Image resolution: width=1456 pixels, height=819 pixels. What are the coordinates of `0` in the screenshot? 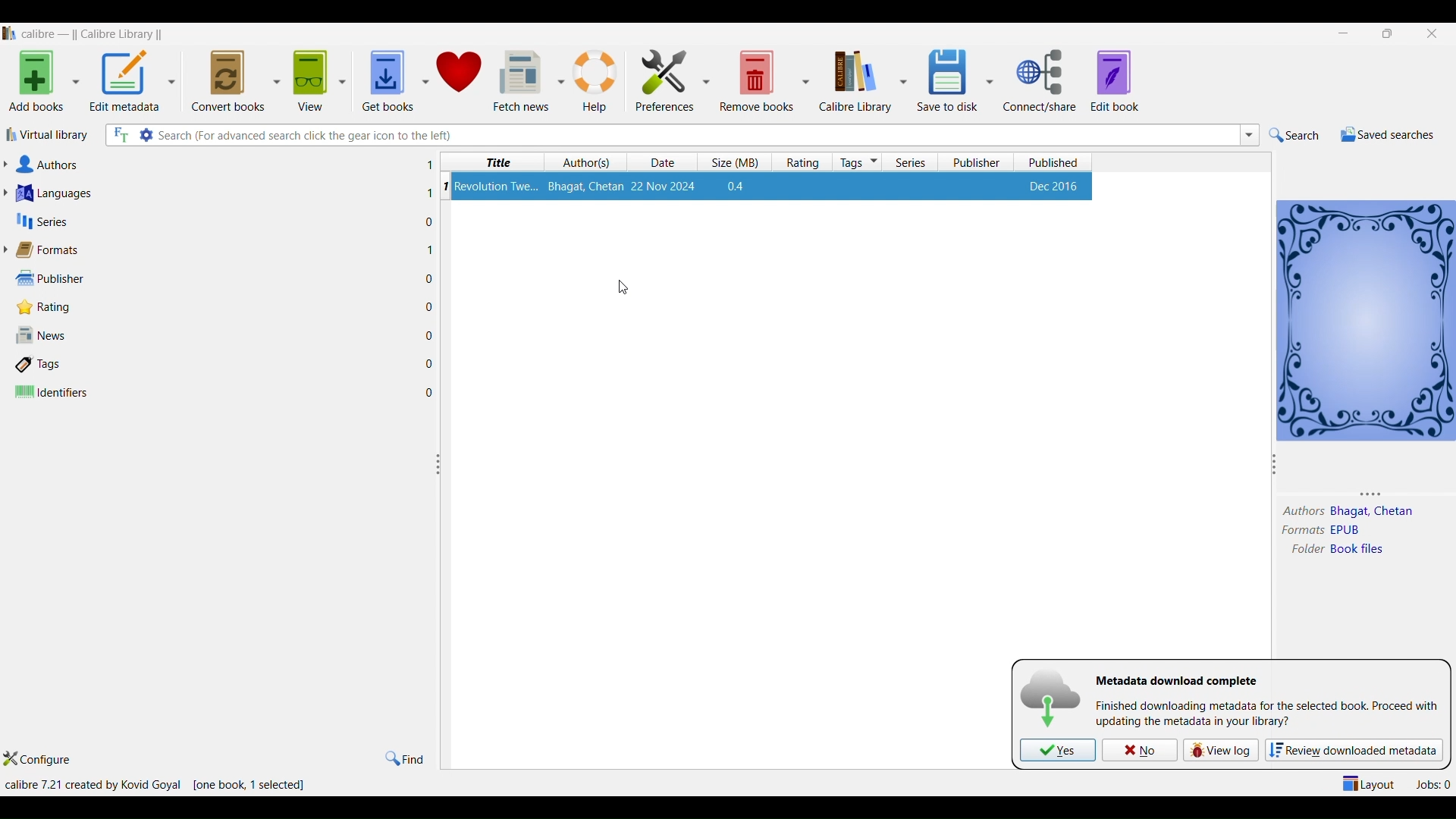 It's located at (430, 333).